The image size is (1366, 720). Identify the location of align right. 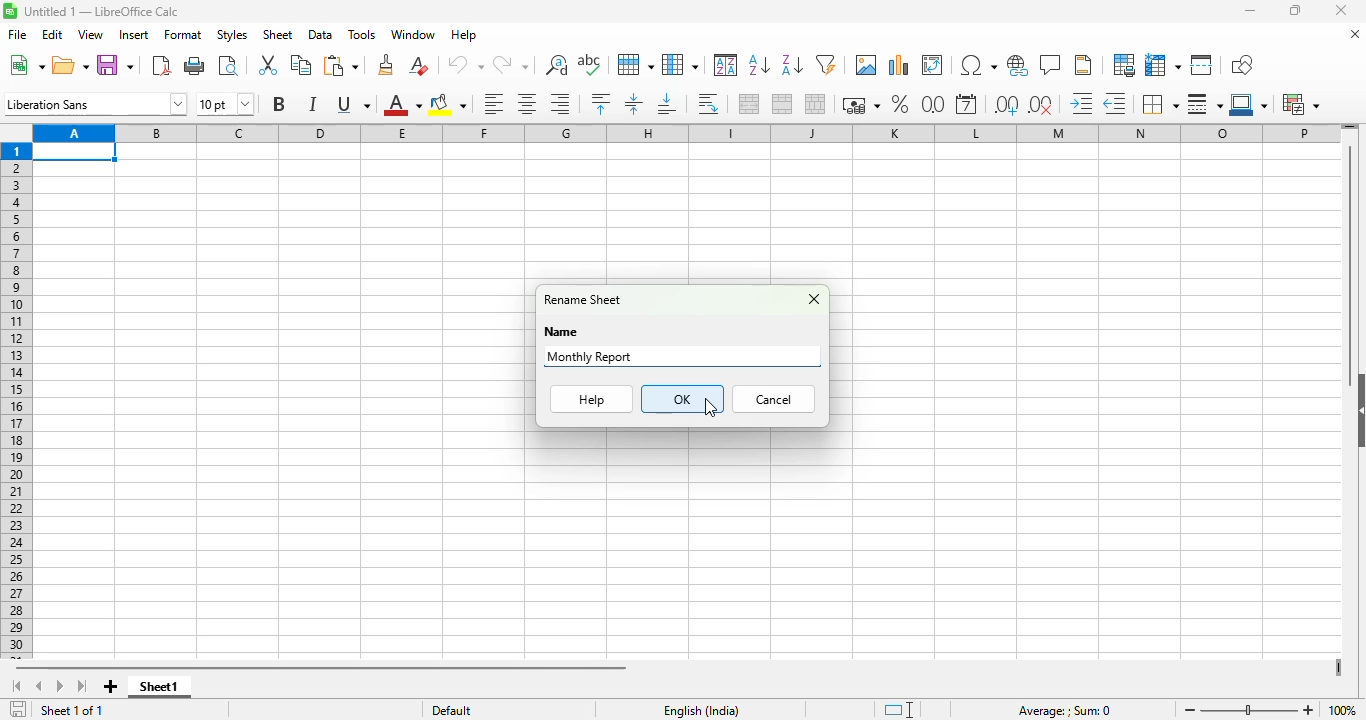
(560, 104).